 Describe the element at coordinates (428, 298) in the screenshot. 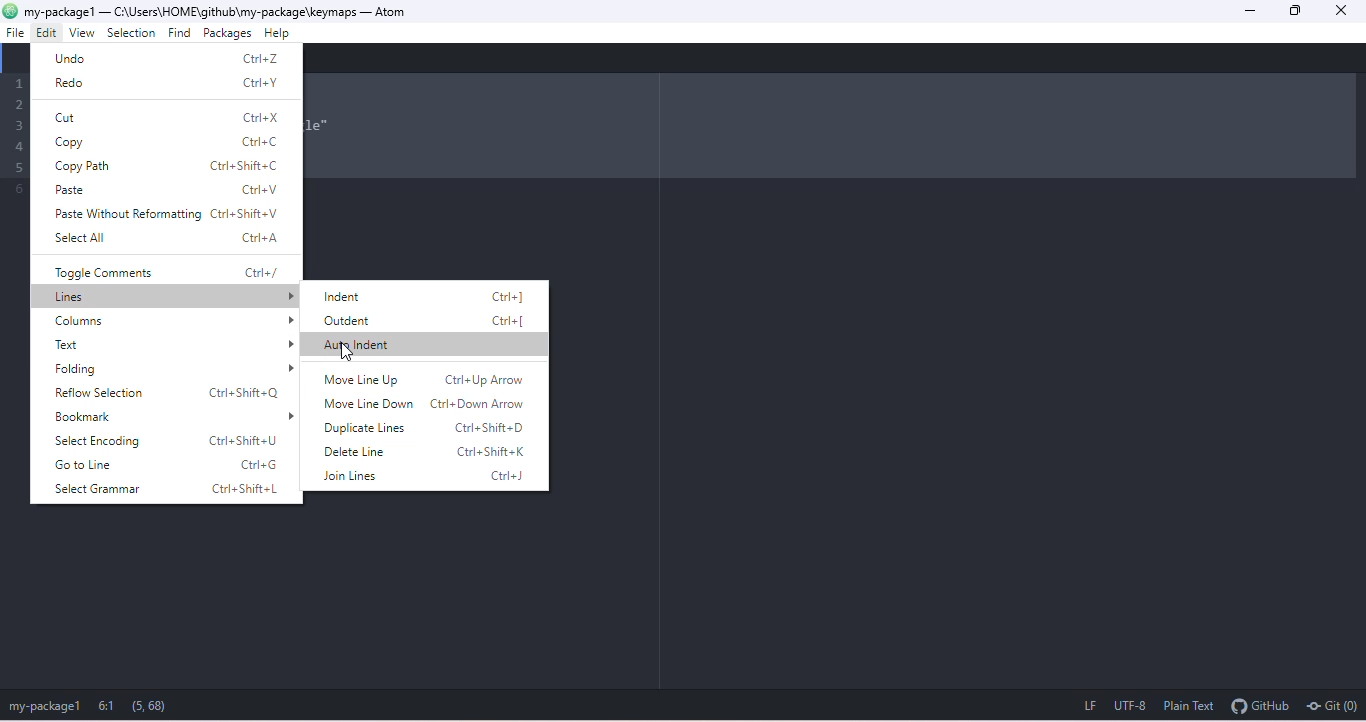

I see `indent` at that location.